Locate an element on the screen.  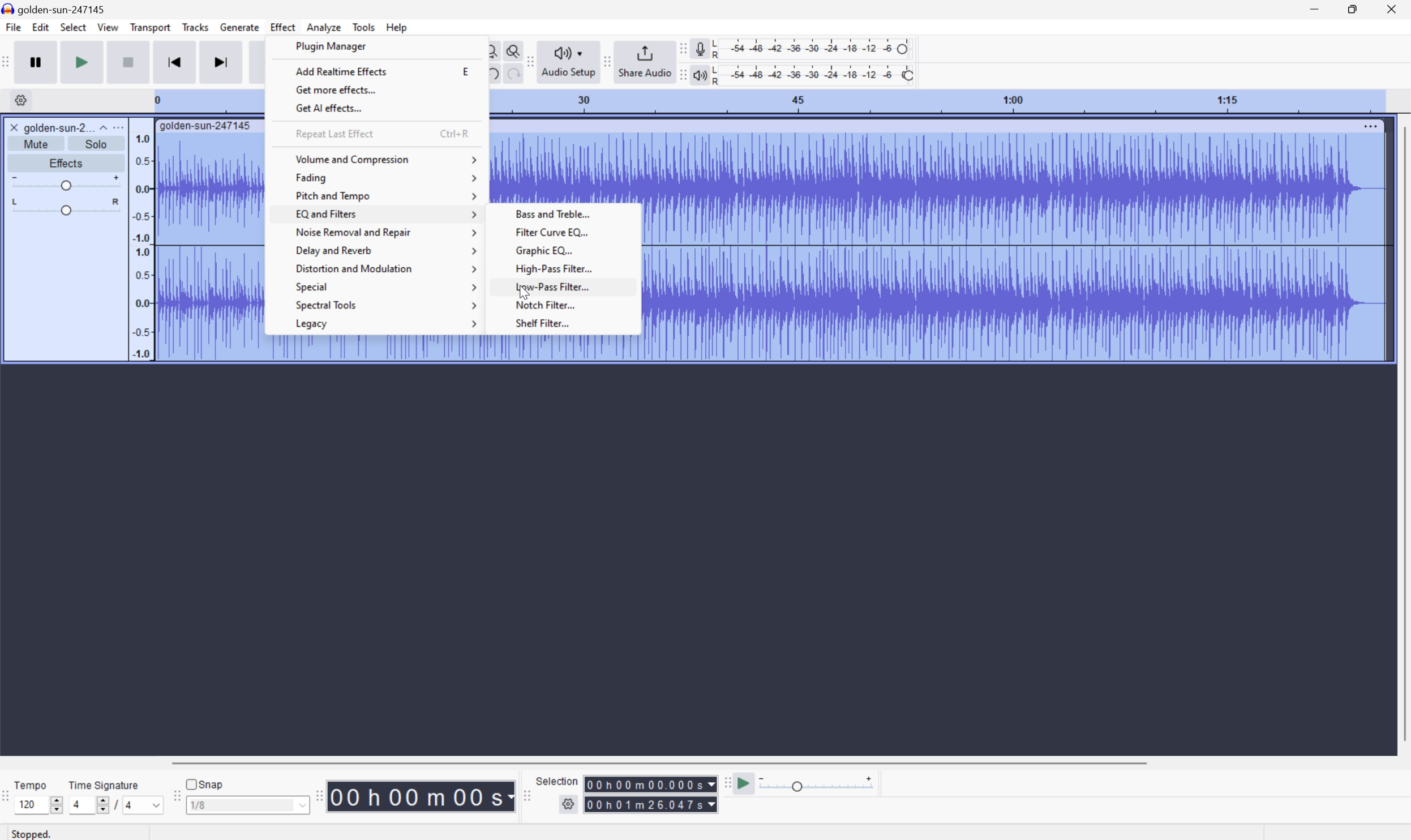
Analyze is located at coordinates (324, 27).